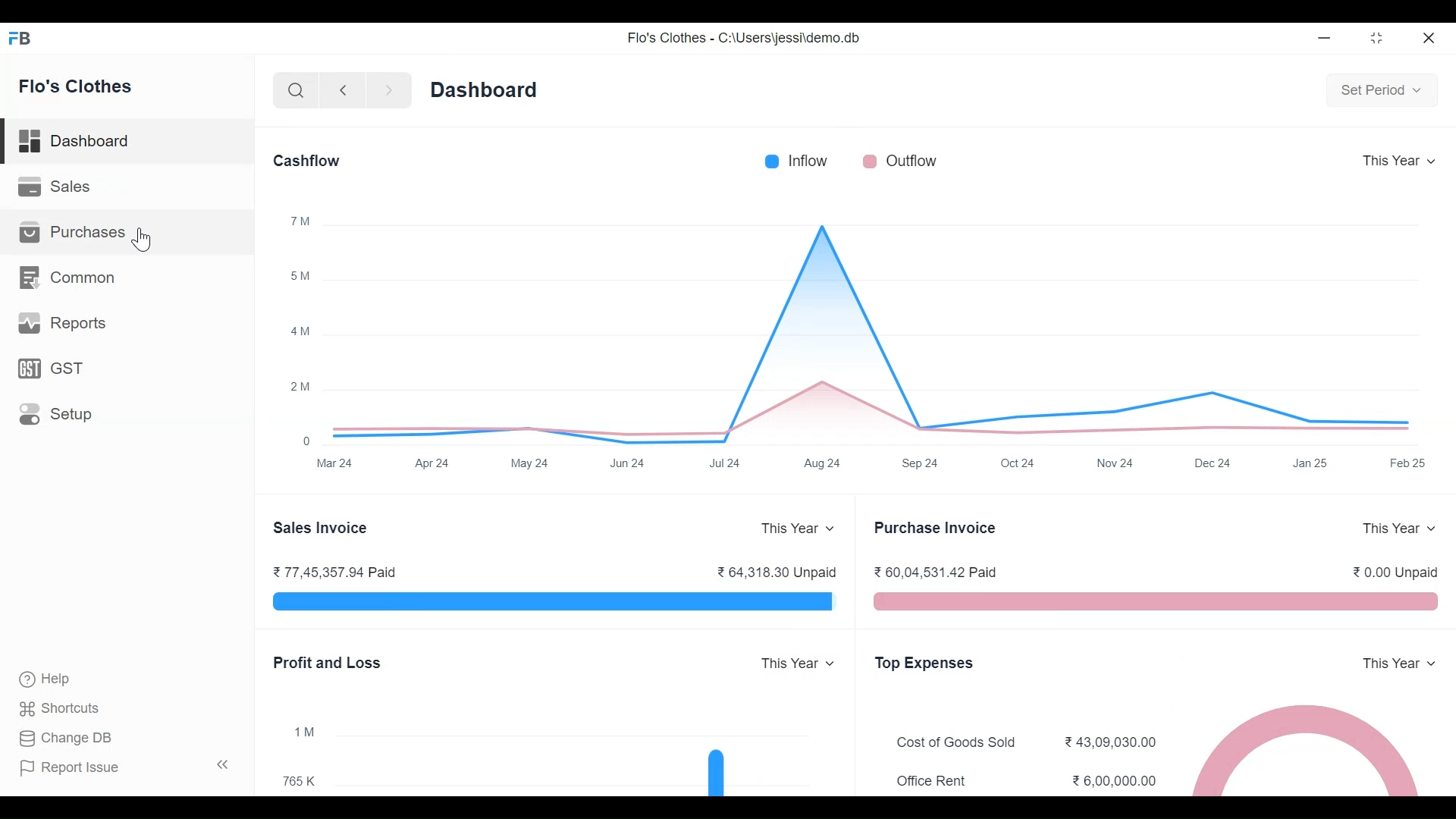  I want to click on ™, so click(302, 221).